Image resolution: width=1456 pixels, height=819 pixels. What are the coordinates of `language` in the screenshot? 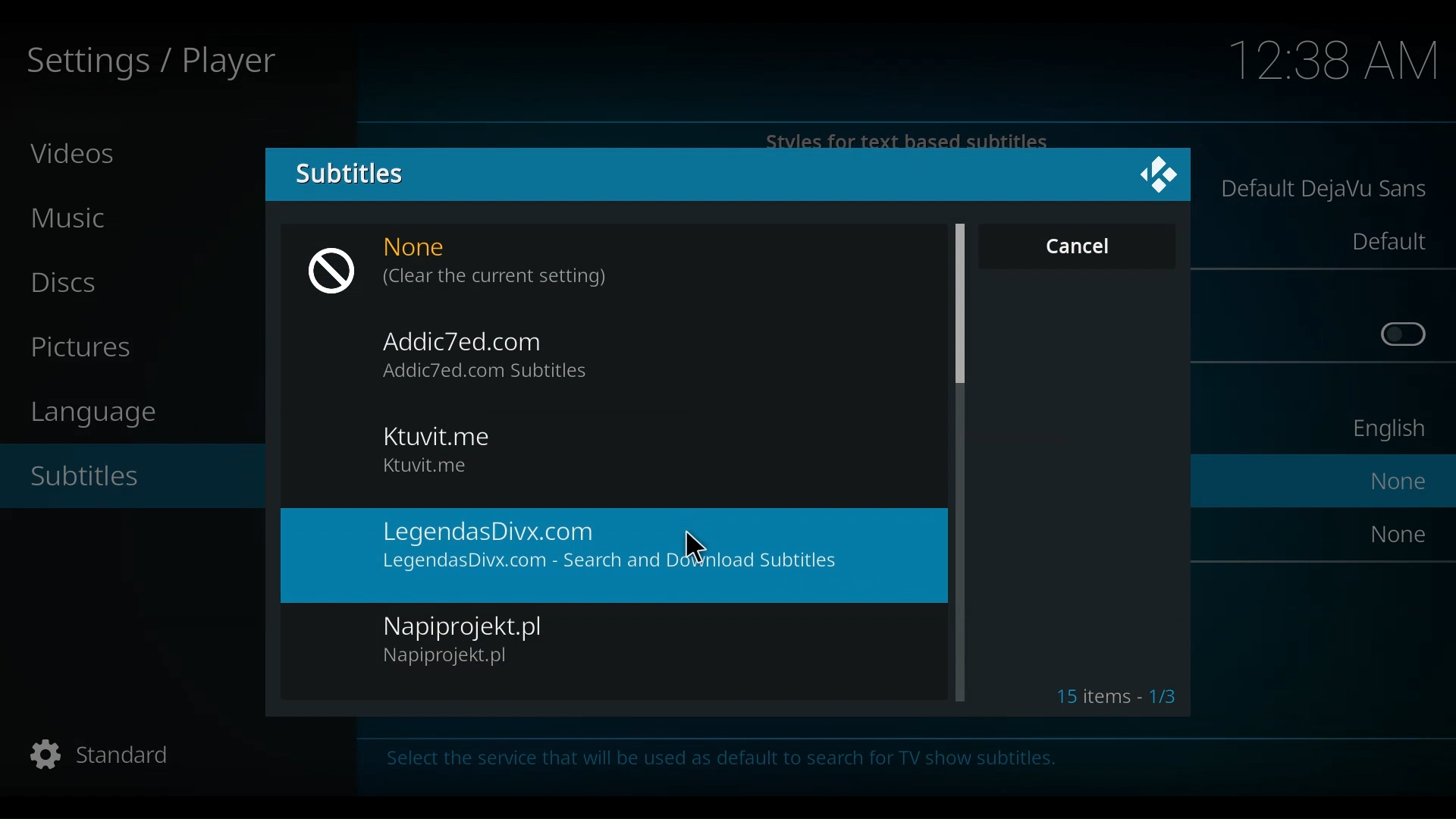 It's located at (102, 413).